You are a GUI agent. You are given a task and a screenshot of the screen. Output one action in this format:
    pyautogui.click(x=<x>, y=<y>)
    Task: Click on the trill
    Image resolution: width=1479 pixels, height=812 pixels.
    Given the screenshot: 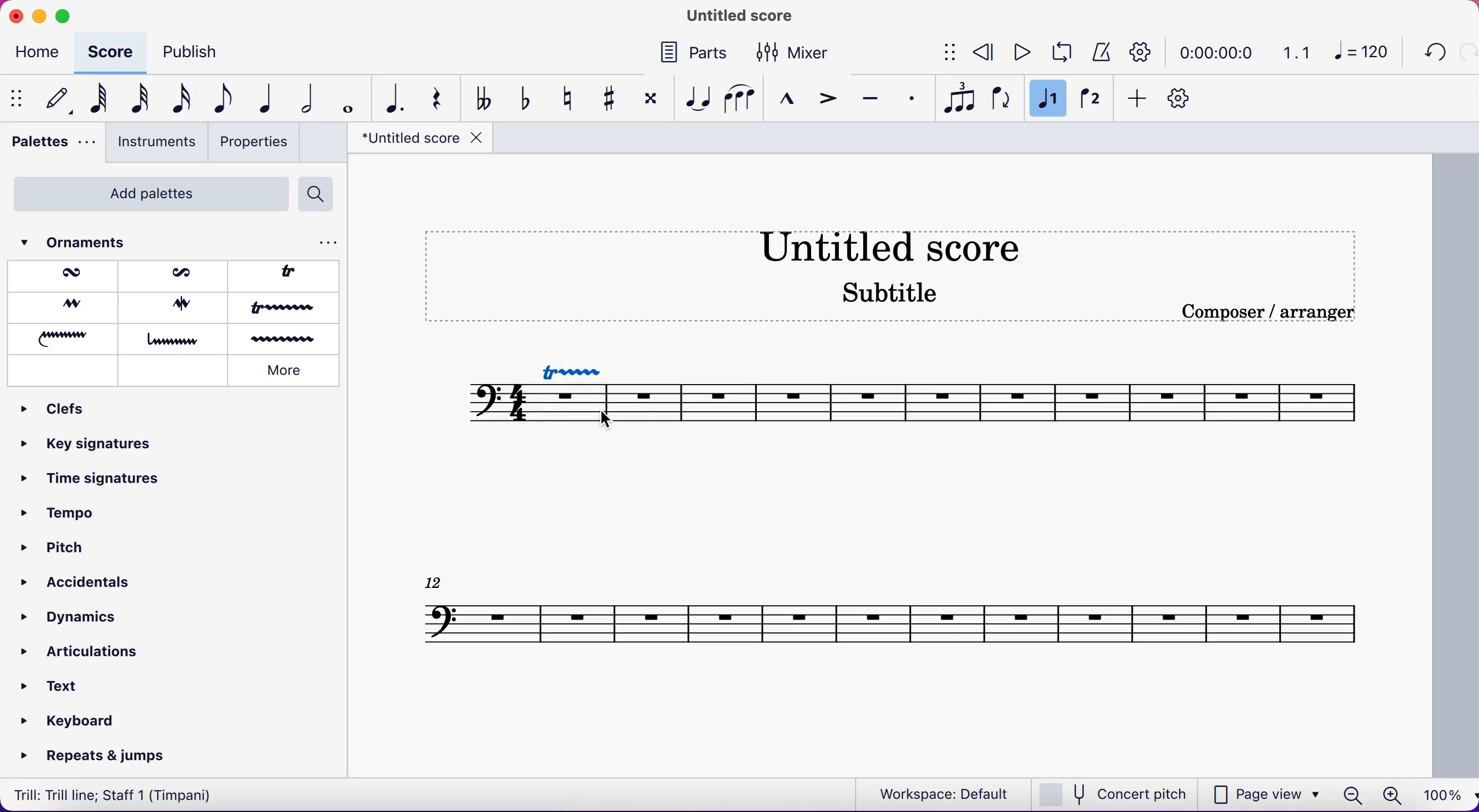 What is the action you would take?
    pyautogui.click(x=289, y=273)
    